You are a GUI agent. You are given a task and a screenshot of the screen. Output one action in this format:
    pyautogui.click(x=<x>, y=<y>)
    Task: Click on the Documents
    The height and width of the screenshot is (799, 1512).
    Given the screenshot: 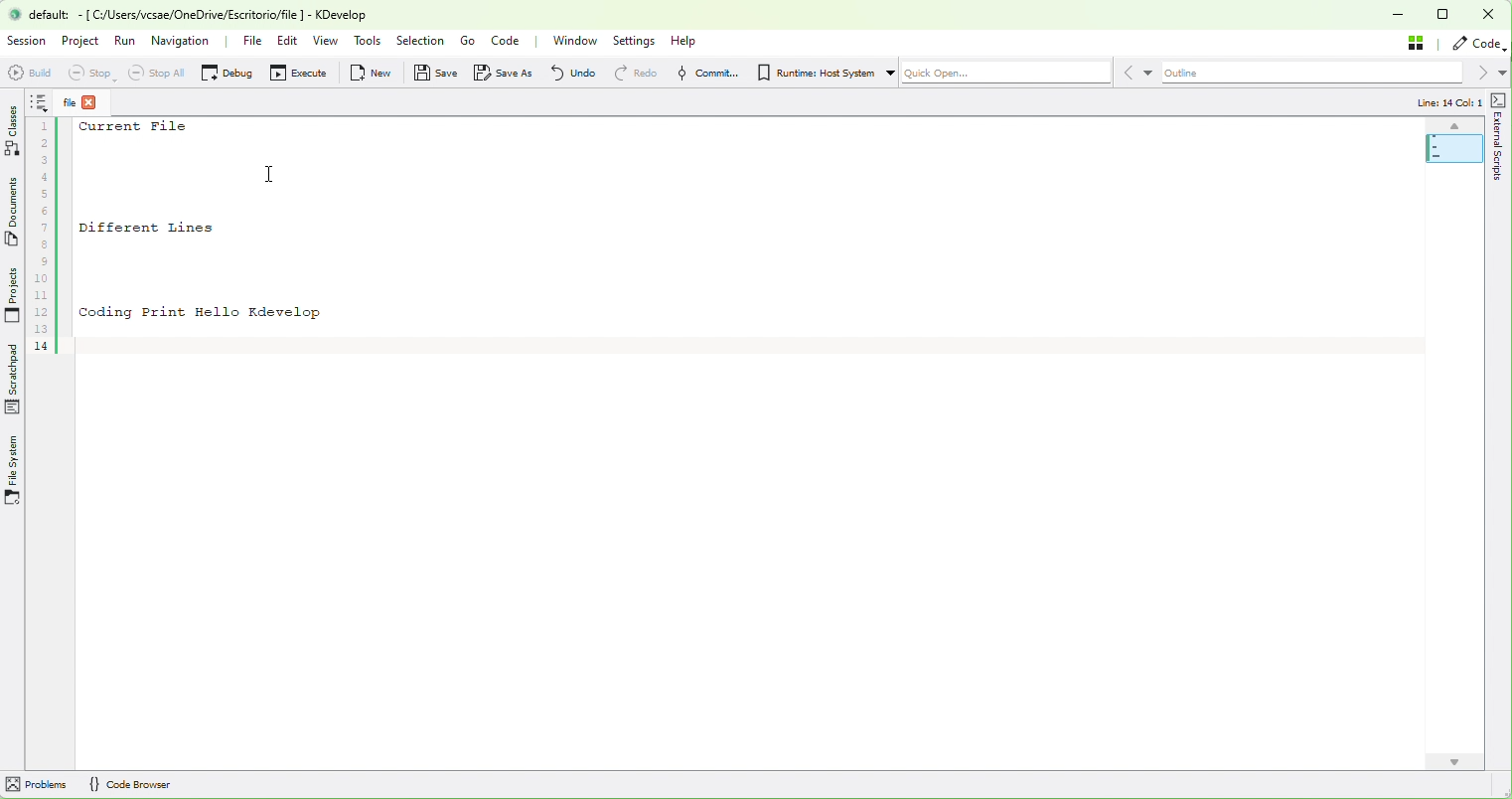 What is the action you would take?
    pyautogui.click(x=13, y=219)
    